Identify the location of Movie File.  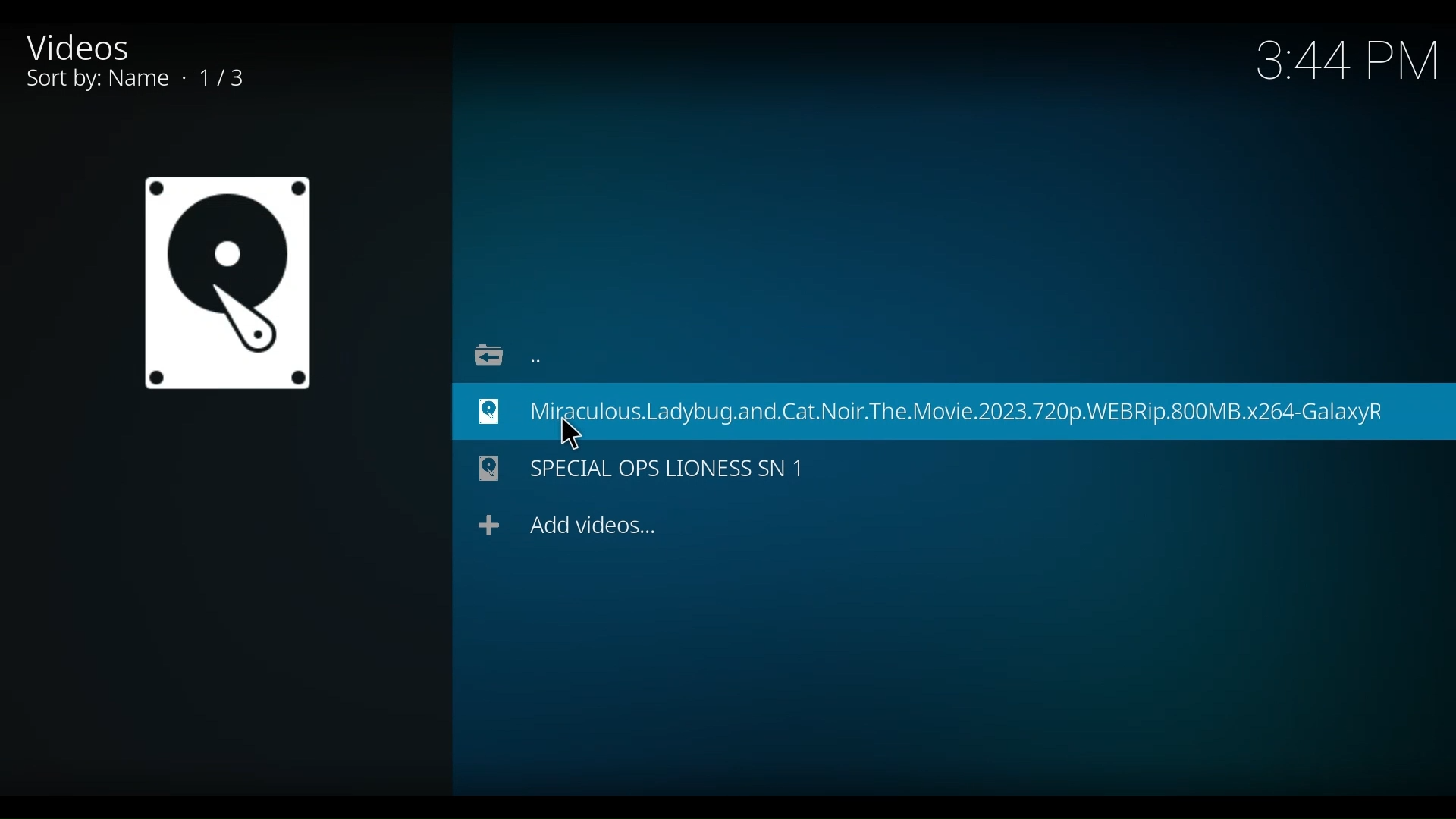
(226, 283).